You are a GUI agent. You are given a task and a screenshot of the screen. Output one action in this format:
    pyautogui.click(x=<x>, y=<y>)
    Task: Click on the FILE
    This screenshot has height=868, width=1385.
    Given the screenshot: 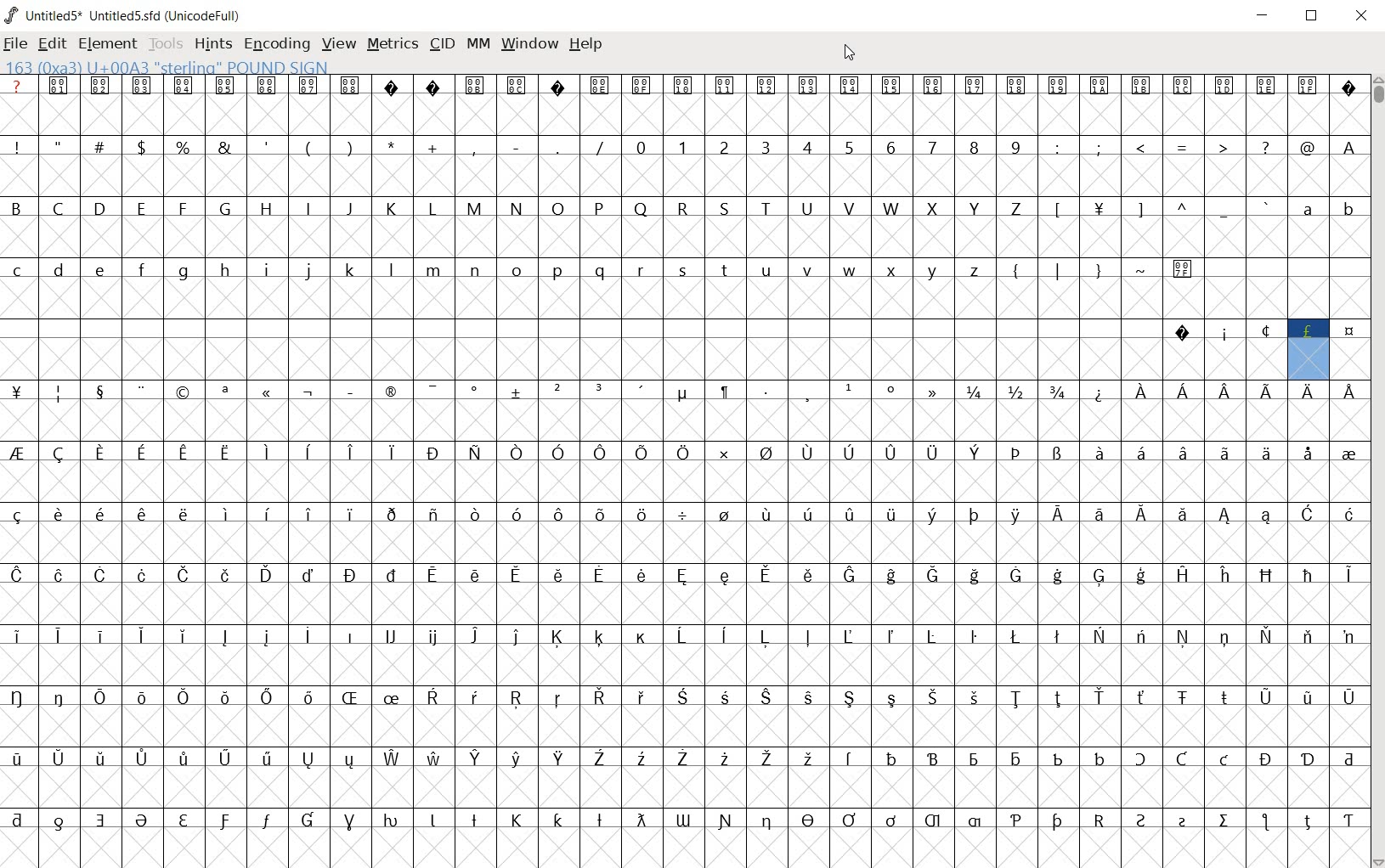 What is the action you would take?
    pyautogui.click(x=16, y=42)
    